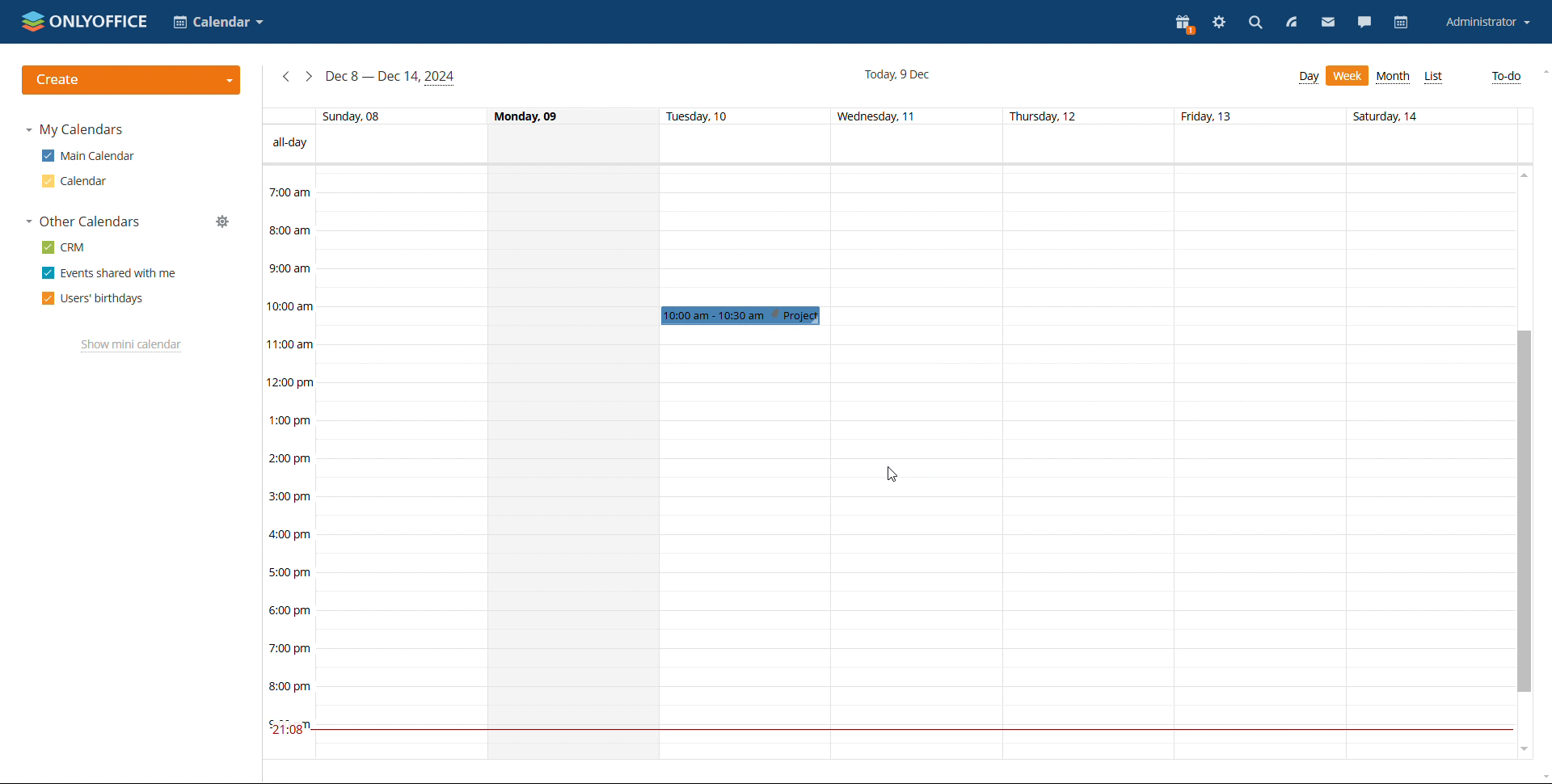  I want to click on current week, so click(391, 77).